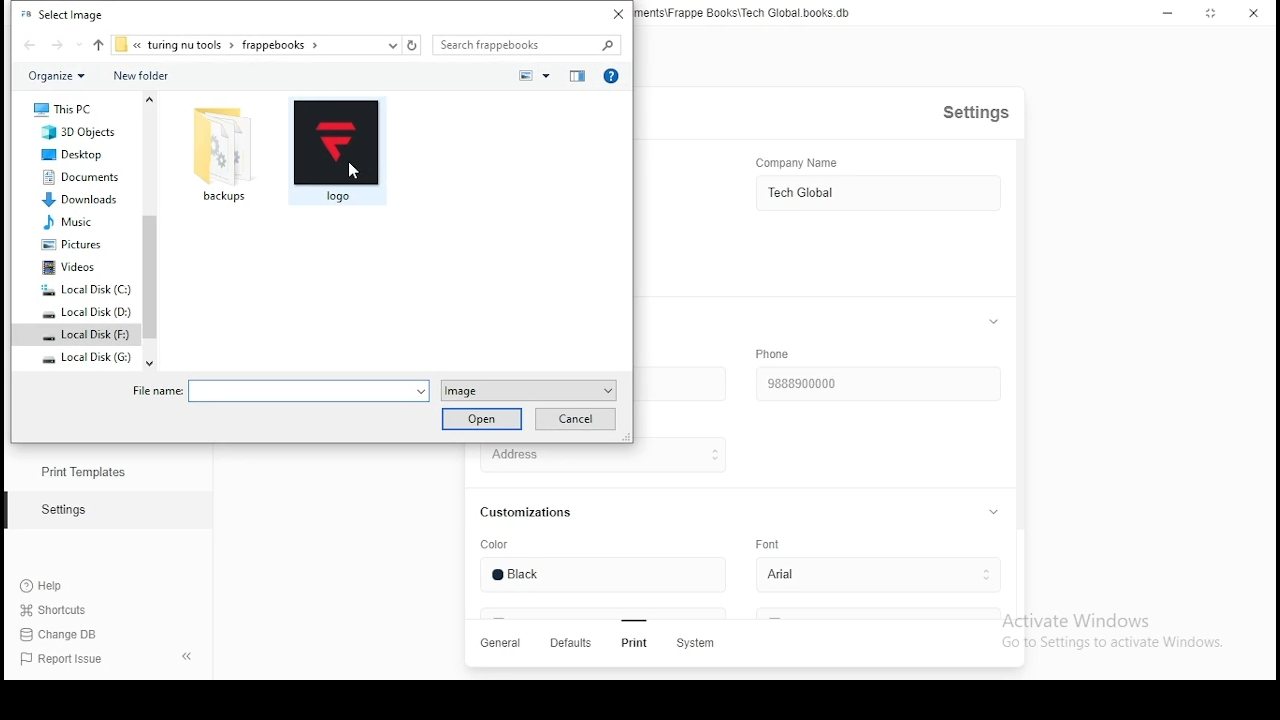 This screenshot has width=1280, height=720. Describe the element at coordinates (150, 228) in the screenshot. I see `scroll bar` at that location.